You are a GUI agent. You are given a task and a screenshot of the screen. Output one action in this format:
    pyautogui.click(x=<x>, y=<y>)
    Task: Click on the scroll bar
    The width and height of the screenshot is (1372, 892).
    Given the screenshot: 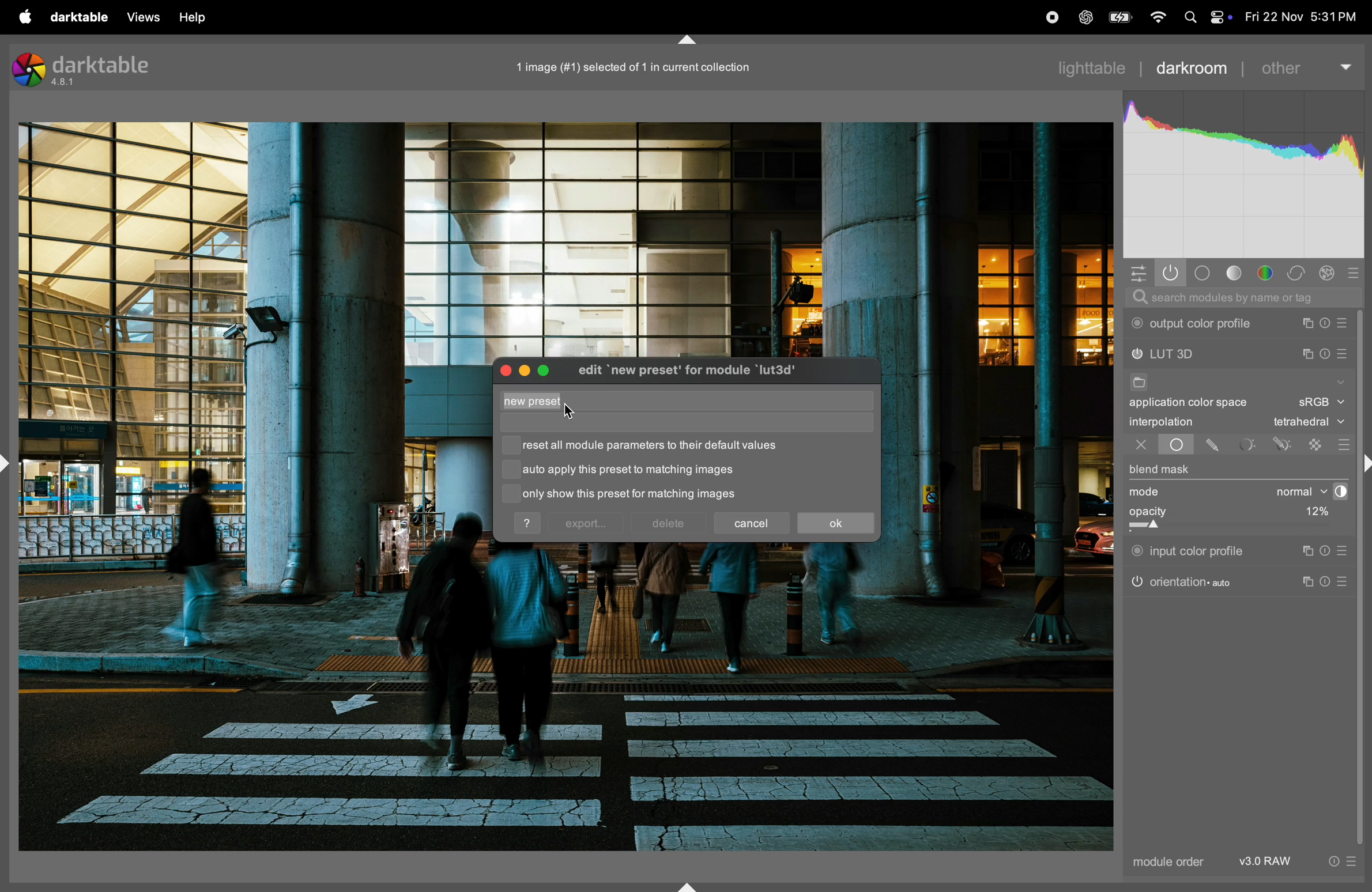 What is the action you would take?
    pyautogui.click(x=1364, y=578)
    